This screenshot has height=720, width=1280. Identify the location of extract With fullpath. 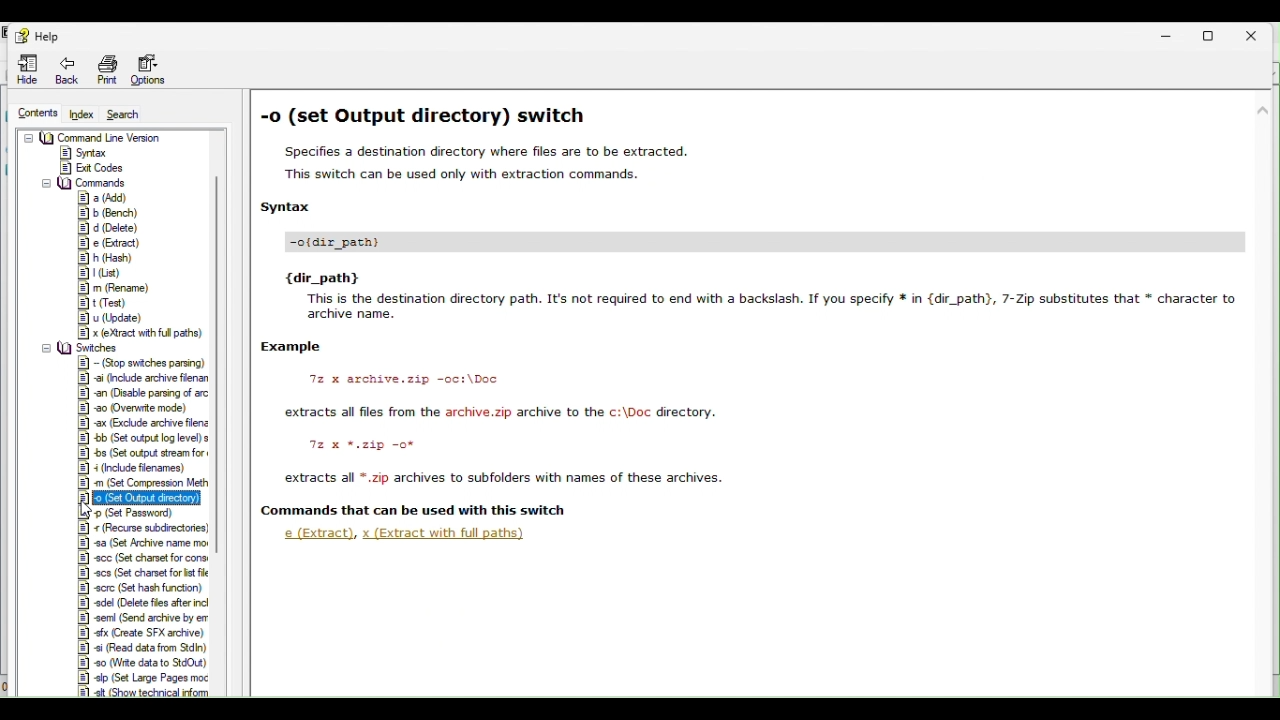
(444, 534).